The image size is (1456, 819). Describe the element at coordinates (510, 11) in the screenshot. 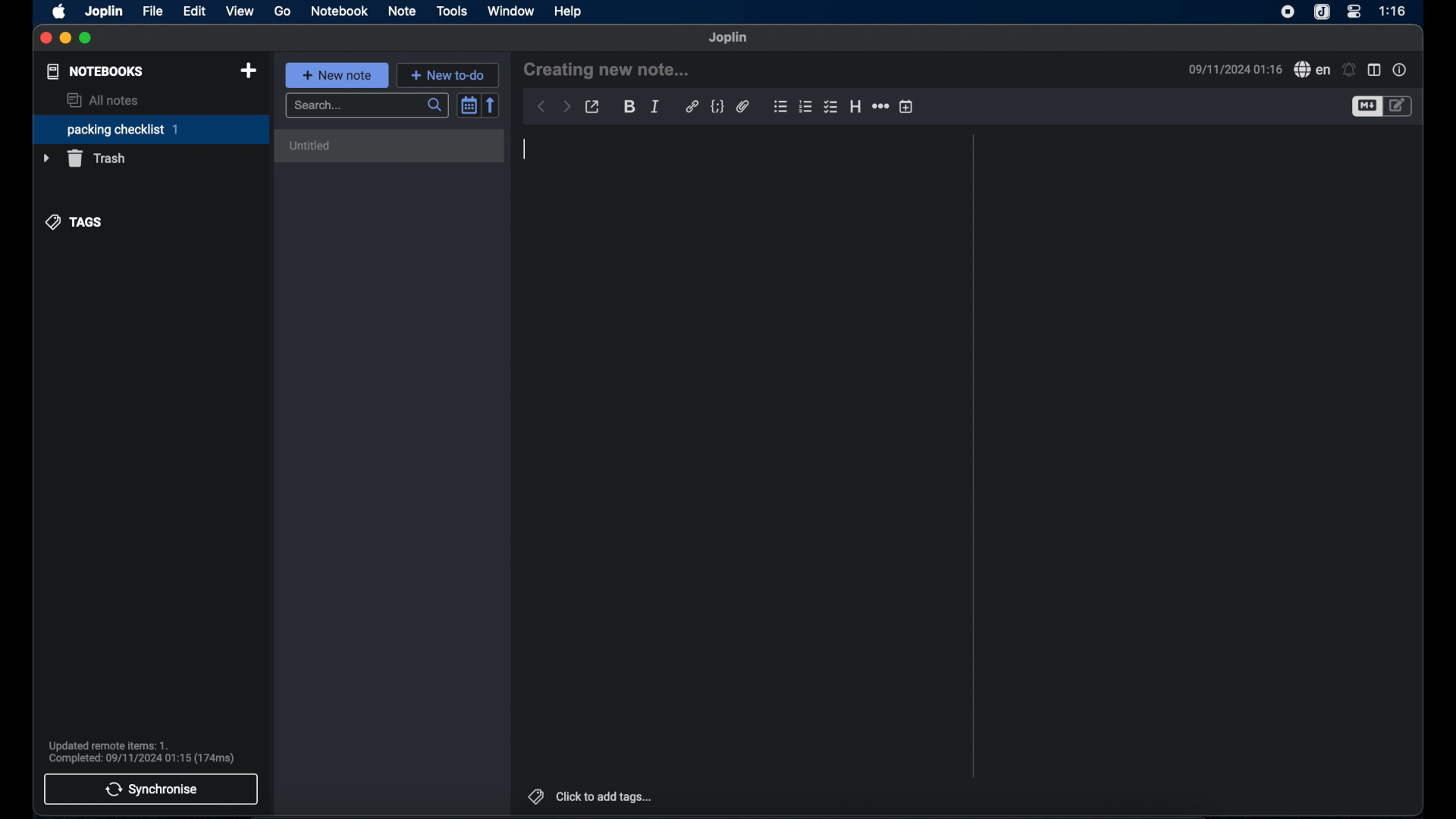

I see `window` at that location.